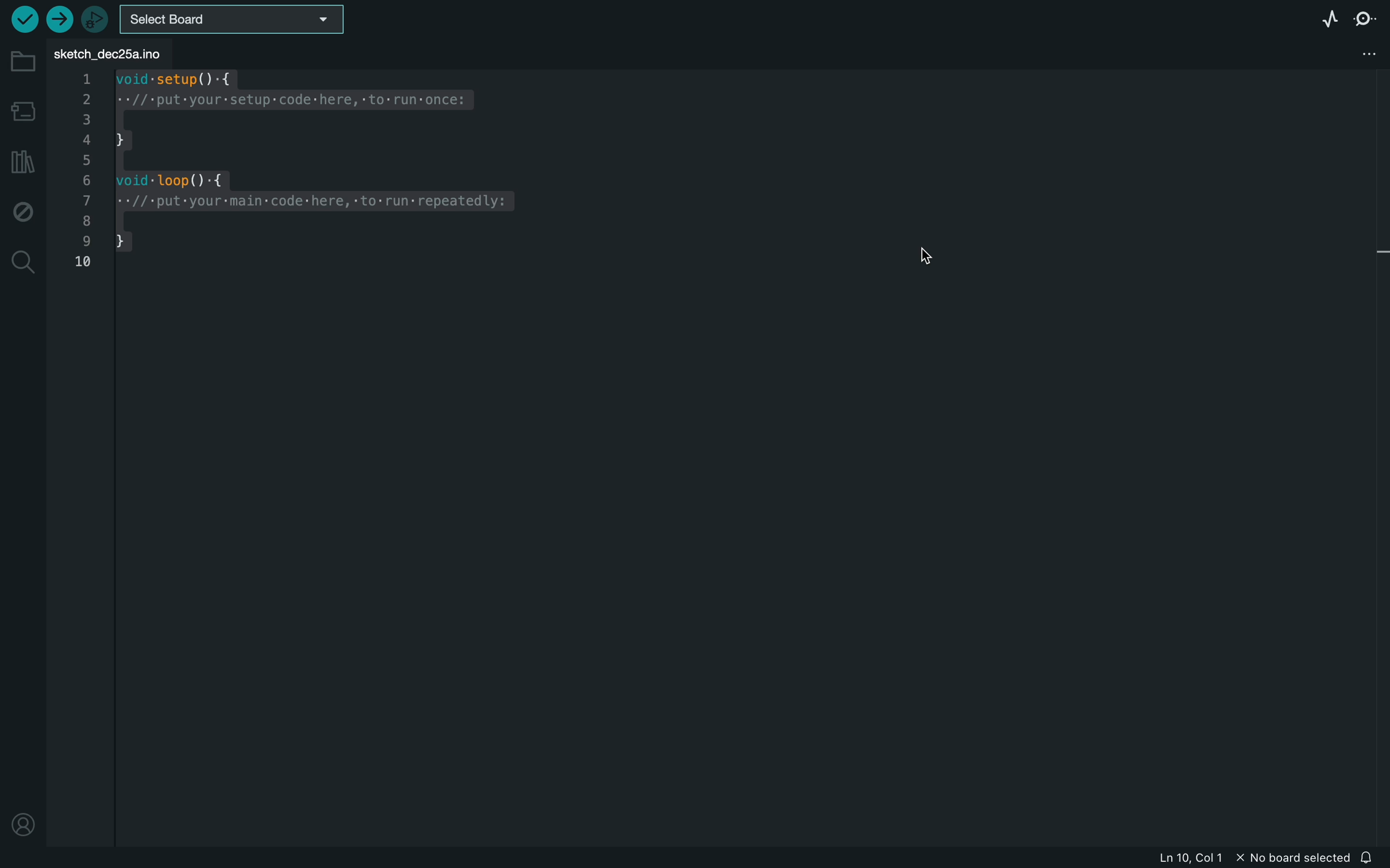 Image resolution: width=1390 pixels, height=868 pixels. Describe the element at coordinates (1326, 18) in the screenshot. I see `serial plotter` at that location.